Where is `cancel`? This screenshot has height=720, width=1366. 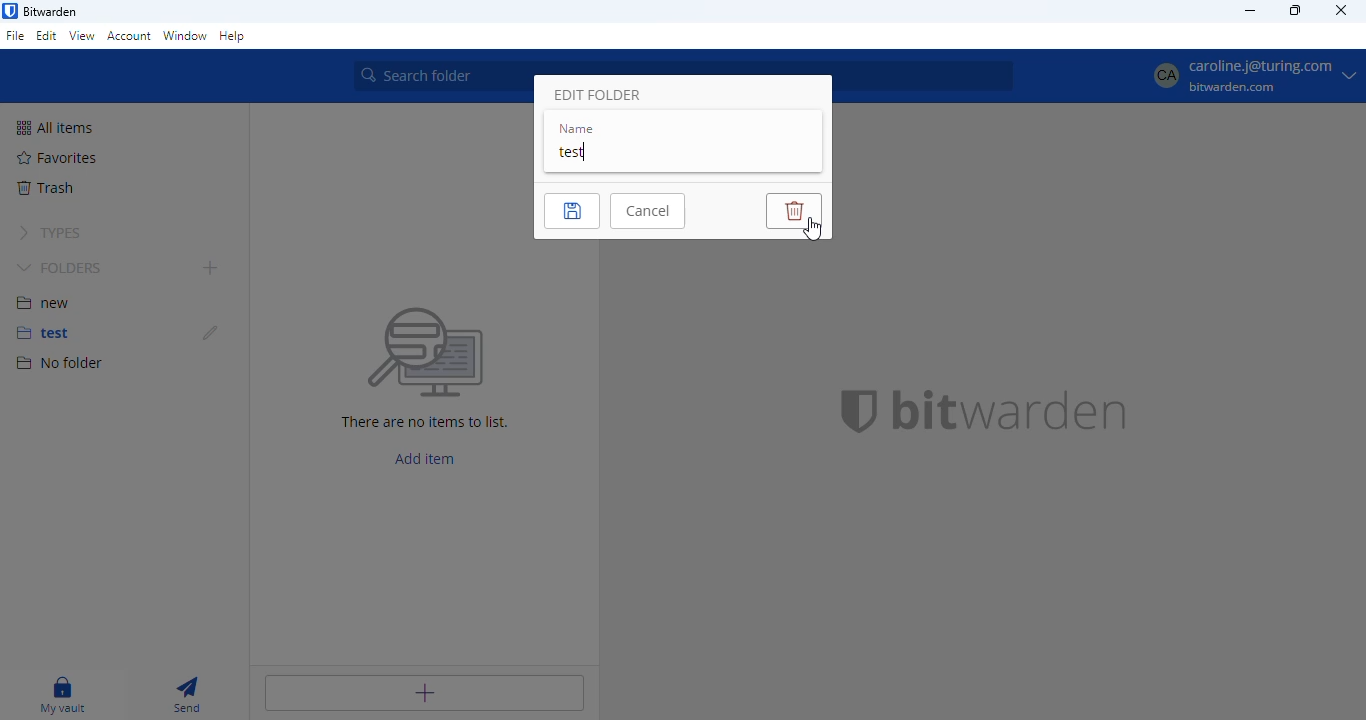 cancel is located at coordinates (646, 212).